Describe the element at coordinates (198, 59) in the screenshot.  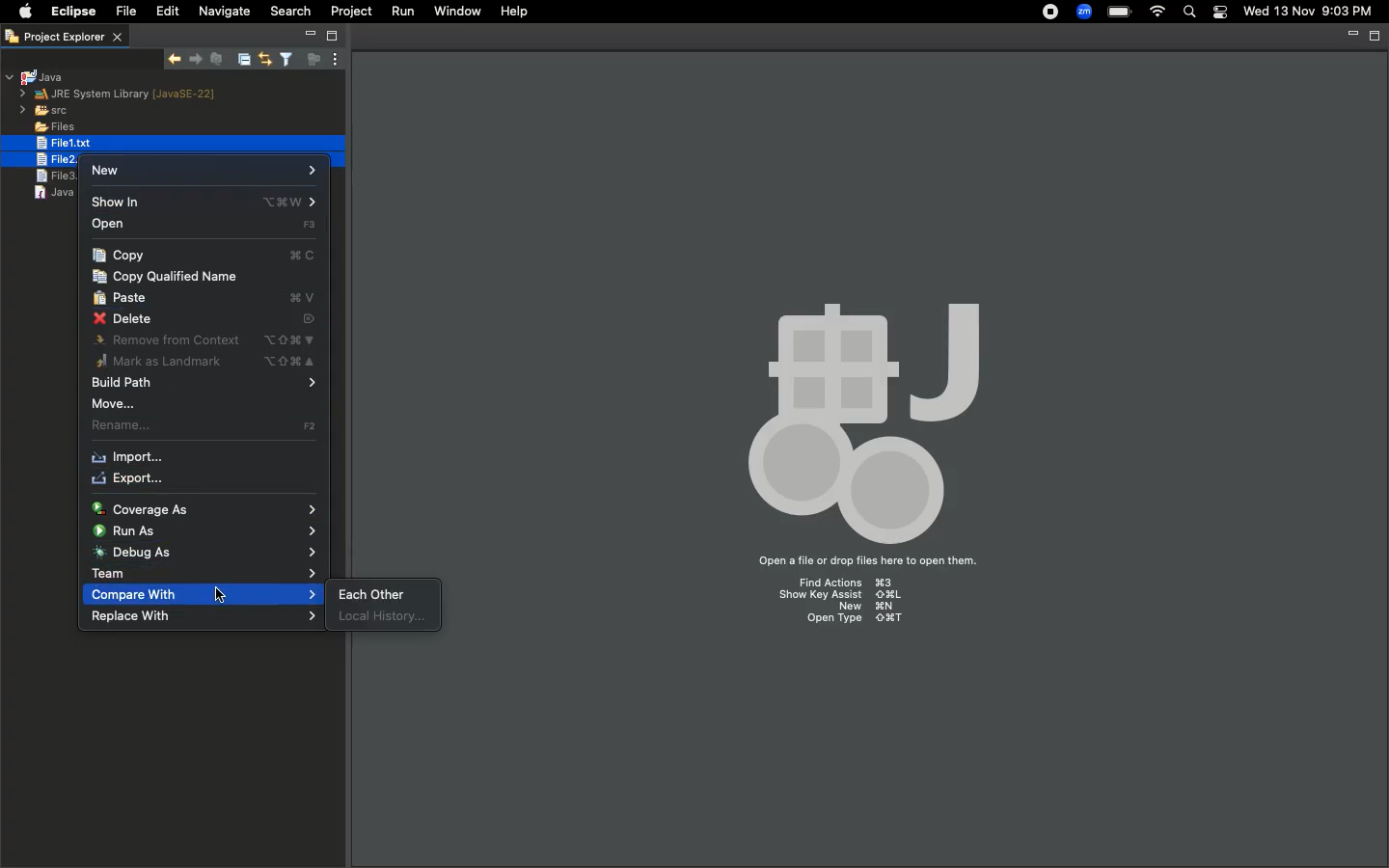
I see `Show previous match` at that location.